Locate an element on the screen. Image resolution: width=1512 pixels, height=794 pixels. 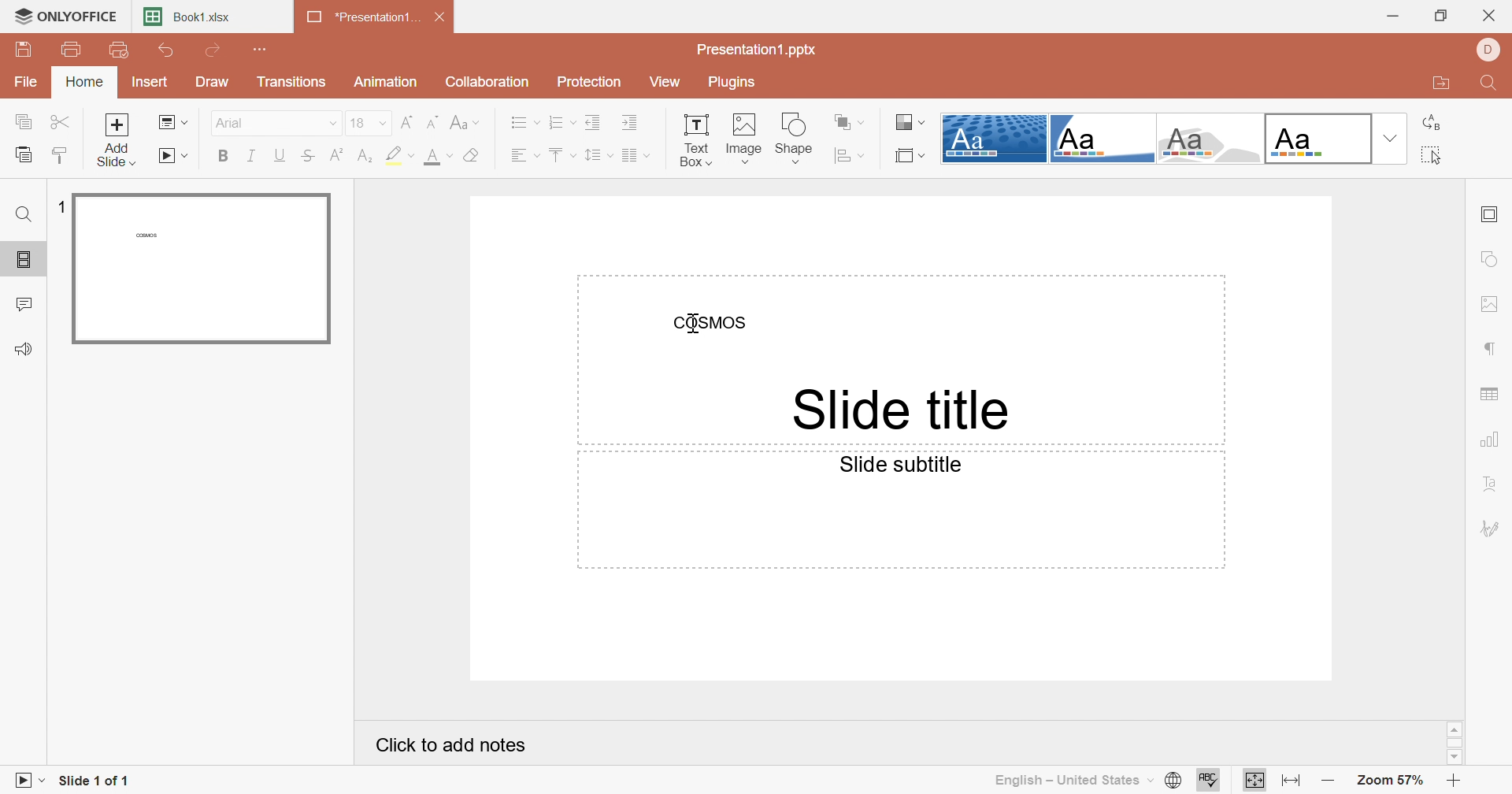
Scroll Bar is located at coordinates (1455, 742).